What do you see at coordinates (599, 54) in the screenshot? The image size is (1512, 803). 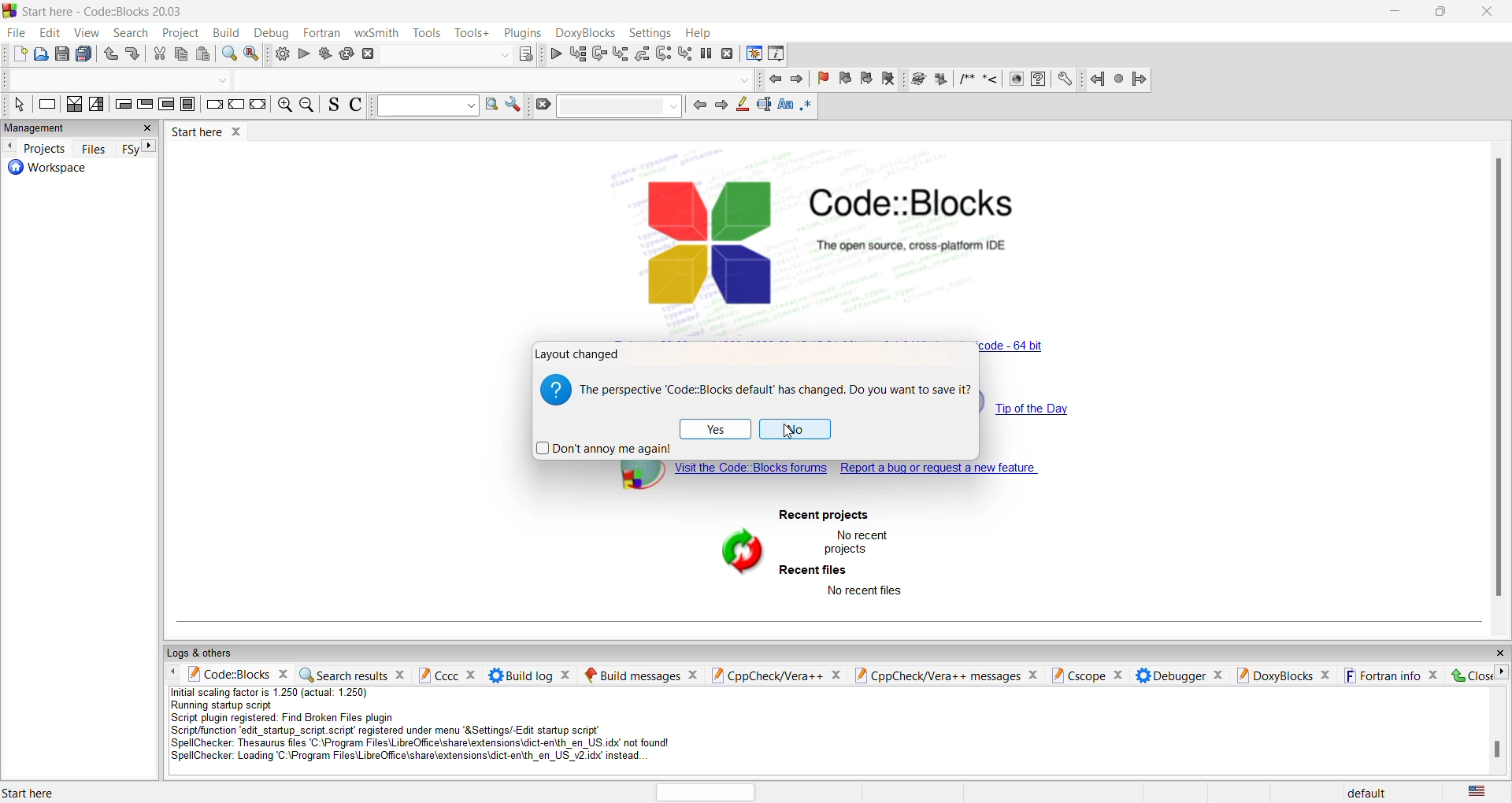 I see `next line` at bounding box center [599, 54].